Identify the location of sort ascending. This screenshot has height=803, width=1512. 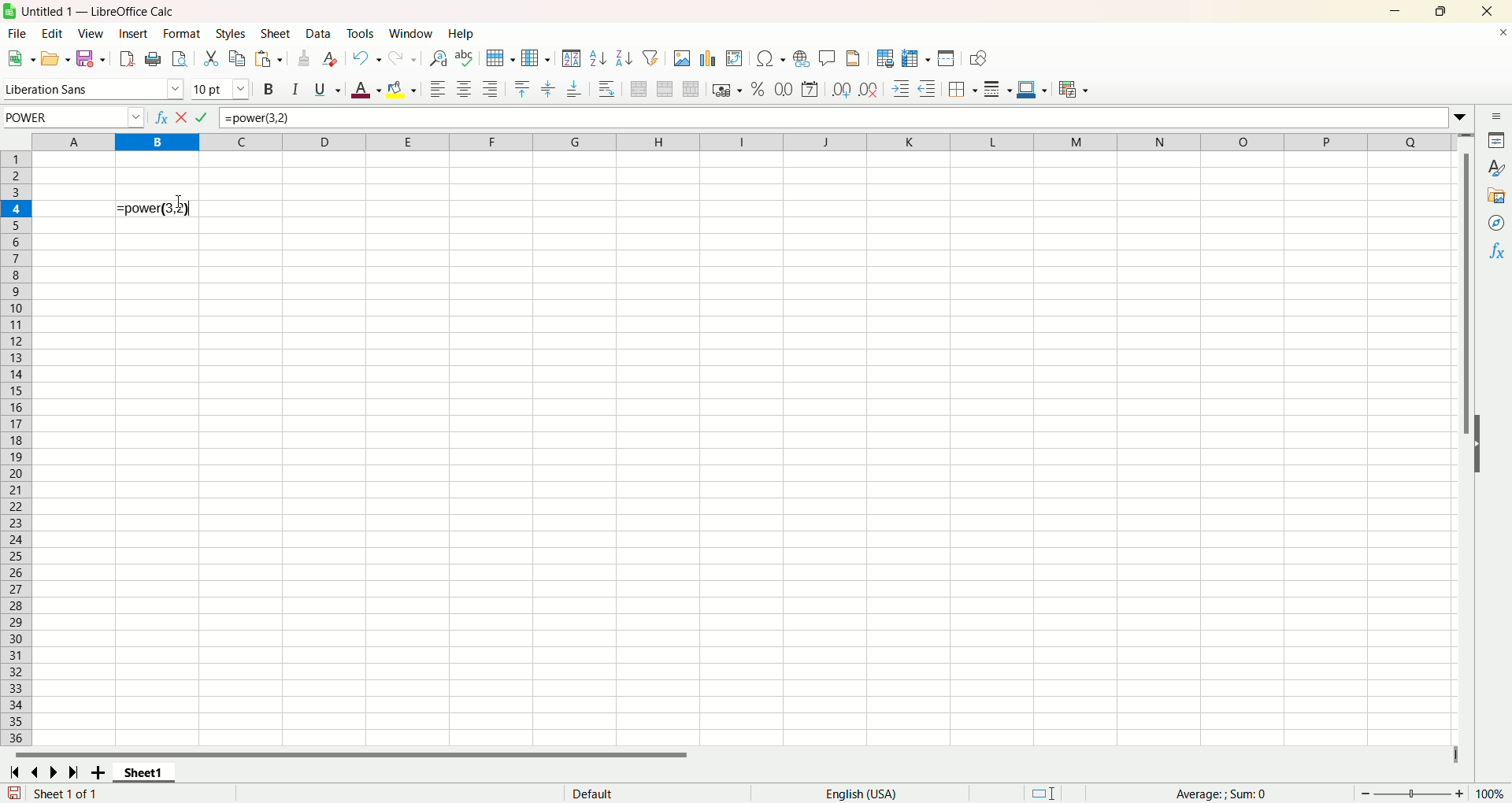
(598, 60).